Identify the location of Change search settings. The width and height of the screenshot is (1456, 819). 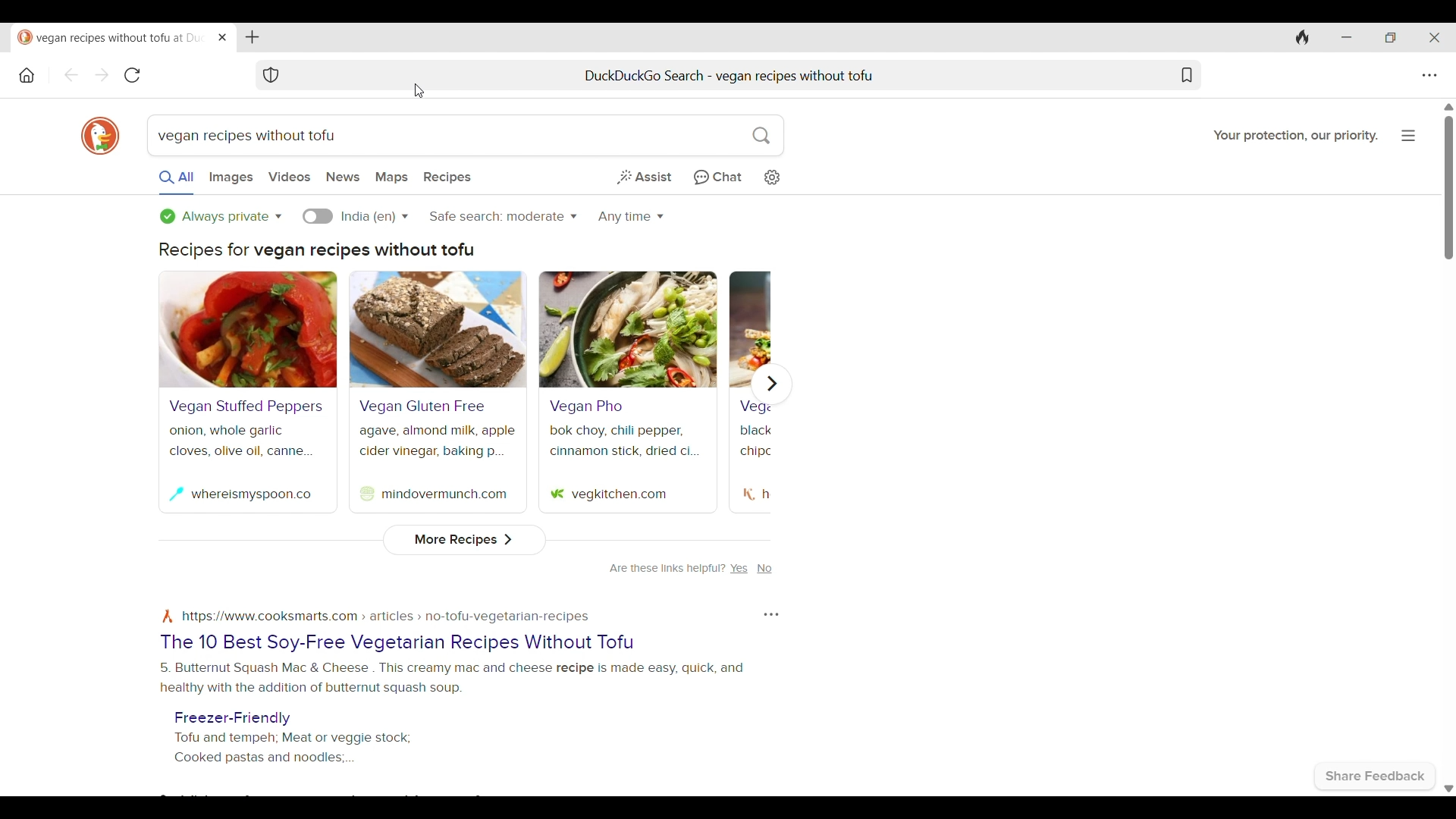
(771, 178).